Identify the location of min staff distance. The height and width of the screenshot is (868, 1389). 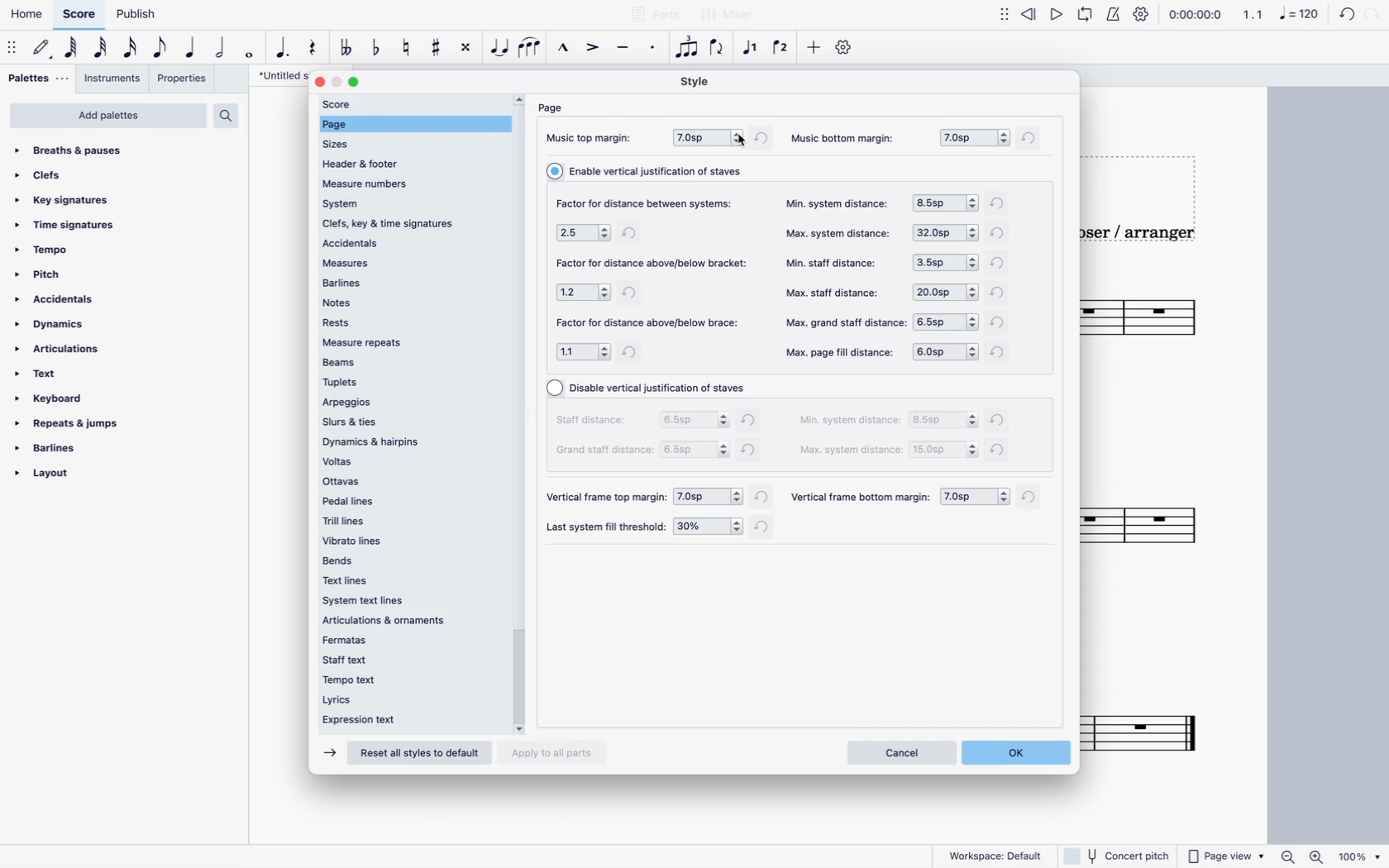
(837, 261).